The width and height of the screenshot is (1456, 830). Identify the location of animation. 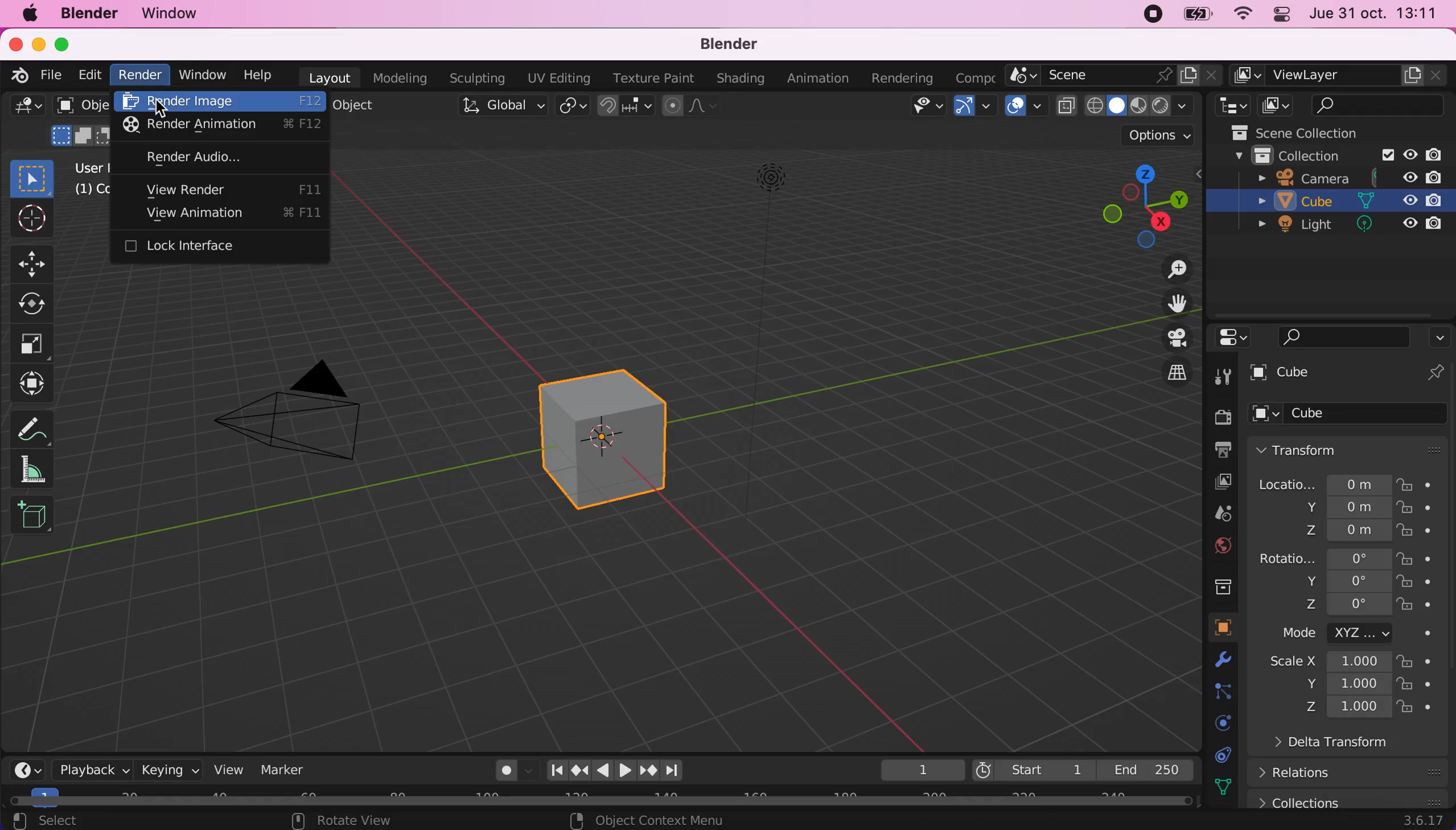
(817, 78).